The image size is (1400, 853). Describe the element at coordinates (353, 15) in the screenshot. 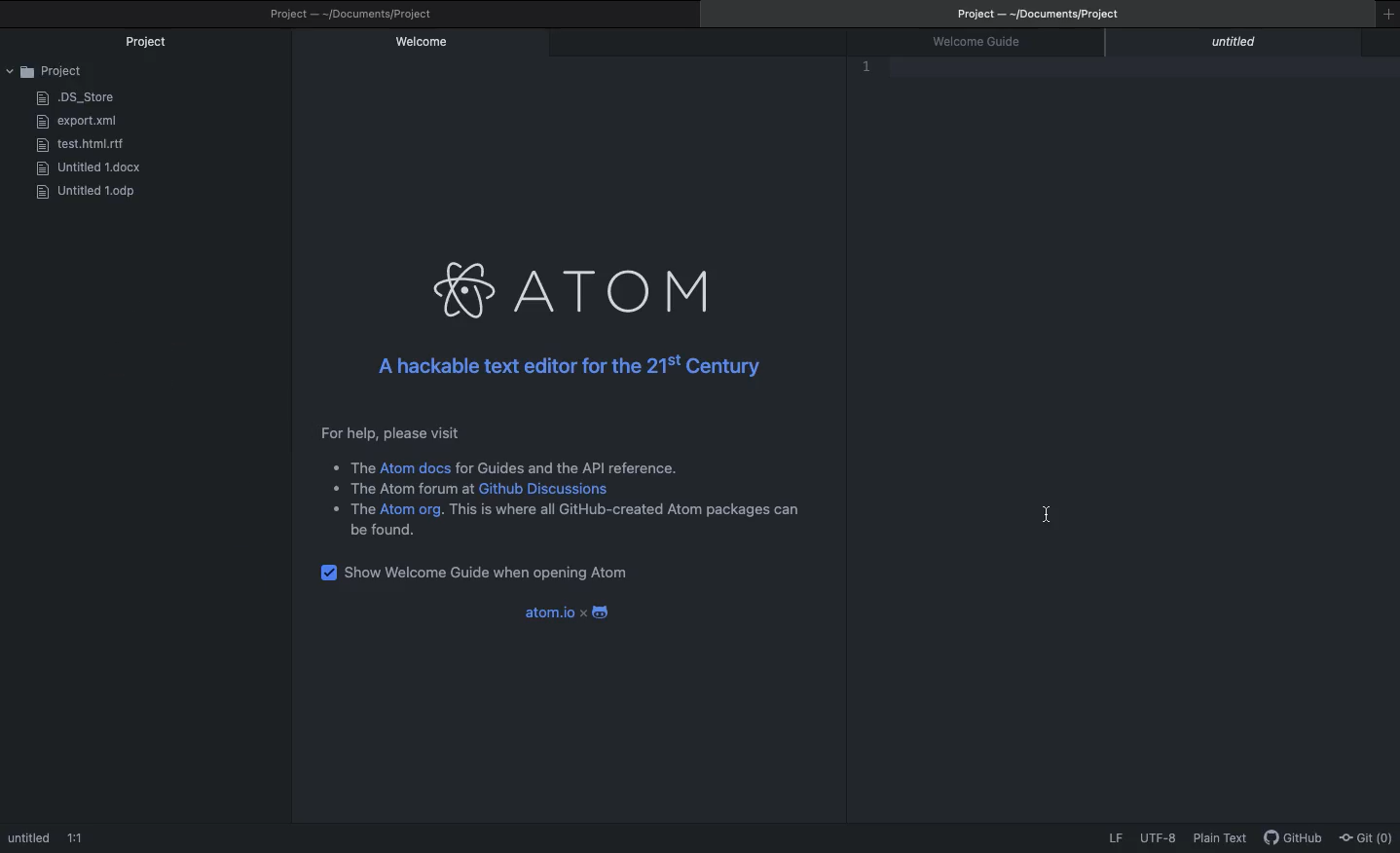

I see `Project` at that location.